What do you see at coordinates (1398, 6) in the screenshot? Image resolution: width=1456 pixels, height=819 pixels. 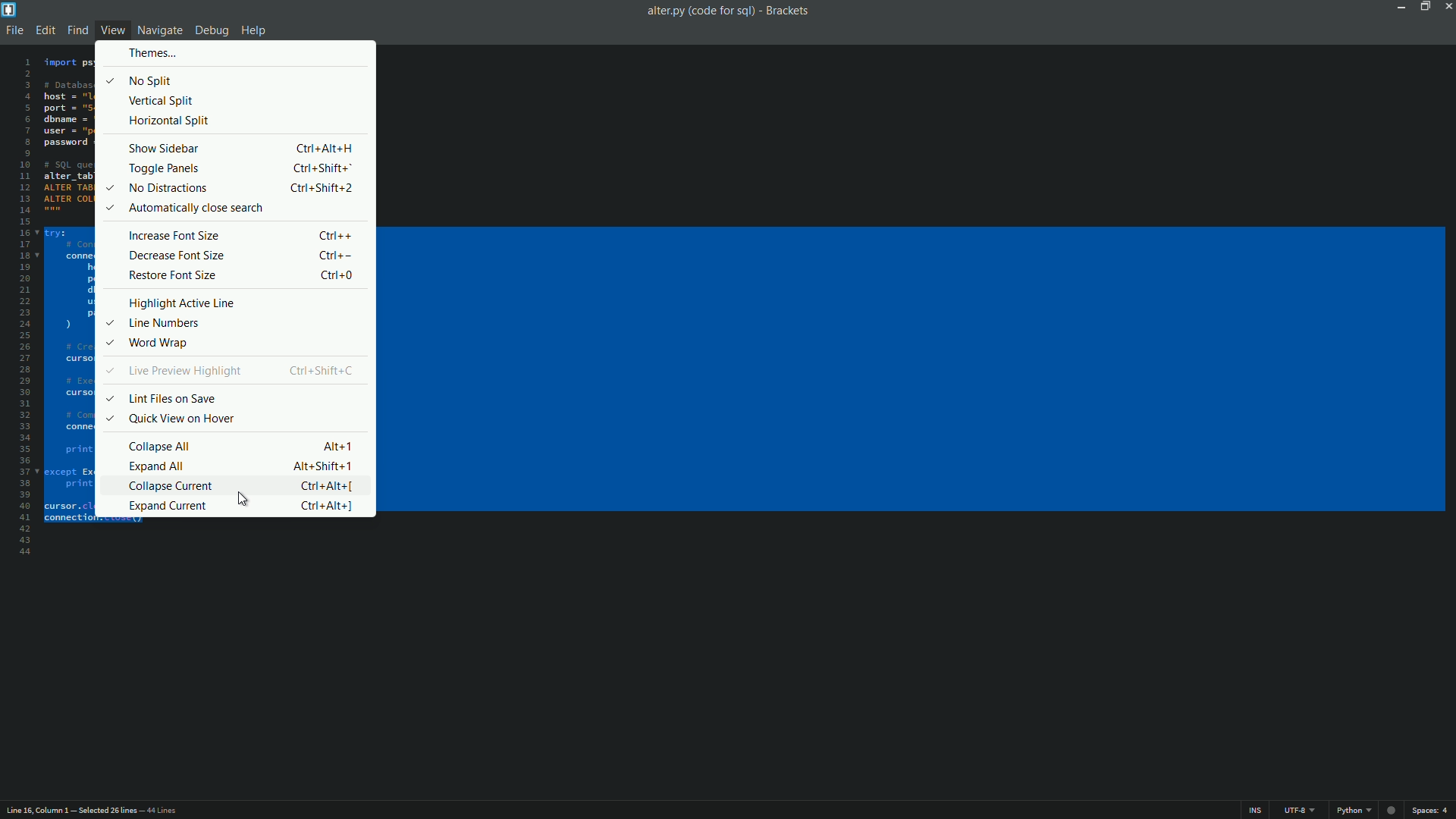 I see `minimize` at bounding box center [1398, 6].